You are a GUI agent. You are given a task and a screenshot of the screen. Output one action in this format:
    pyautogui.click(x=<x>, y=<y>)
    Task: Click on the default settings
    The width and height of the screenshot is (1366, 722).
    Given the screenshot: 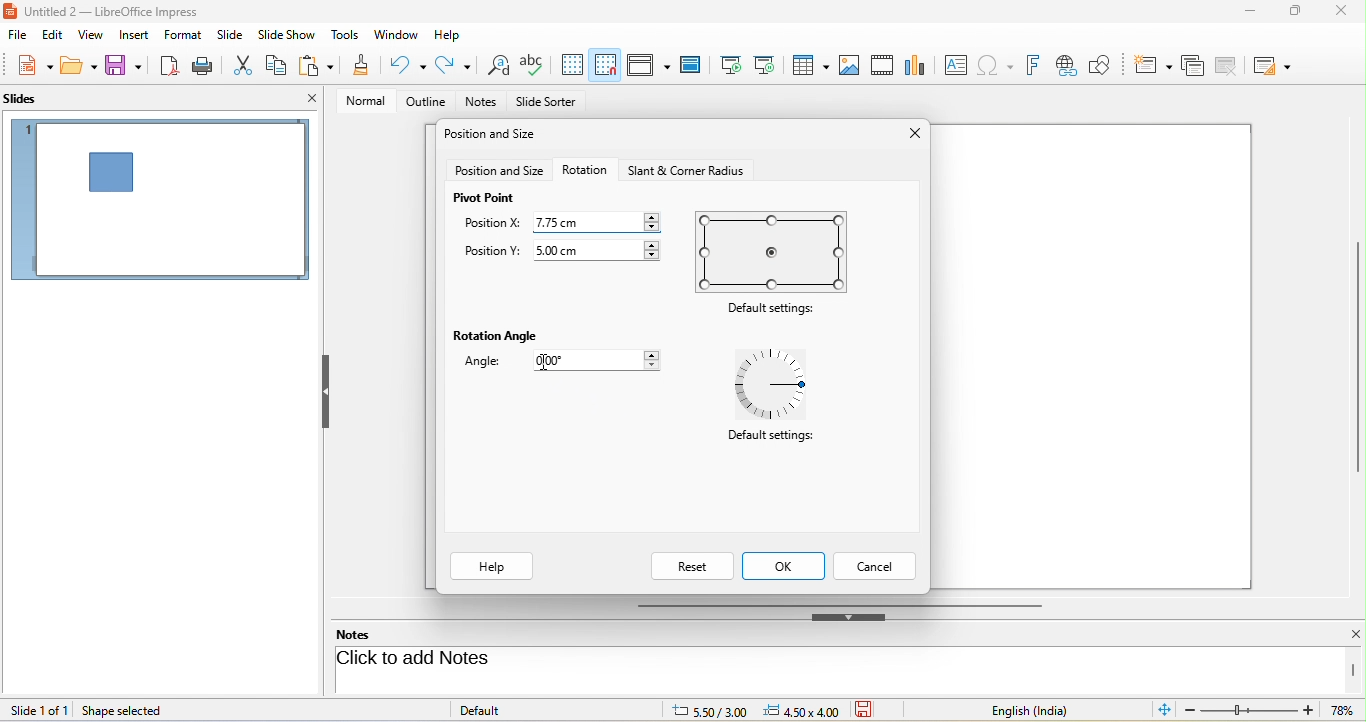 What is the action you would take?
    pyautogui.click(x=777, y=385)
    